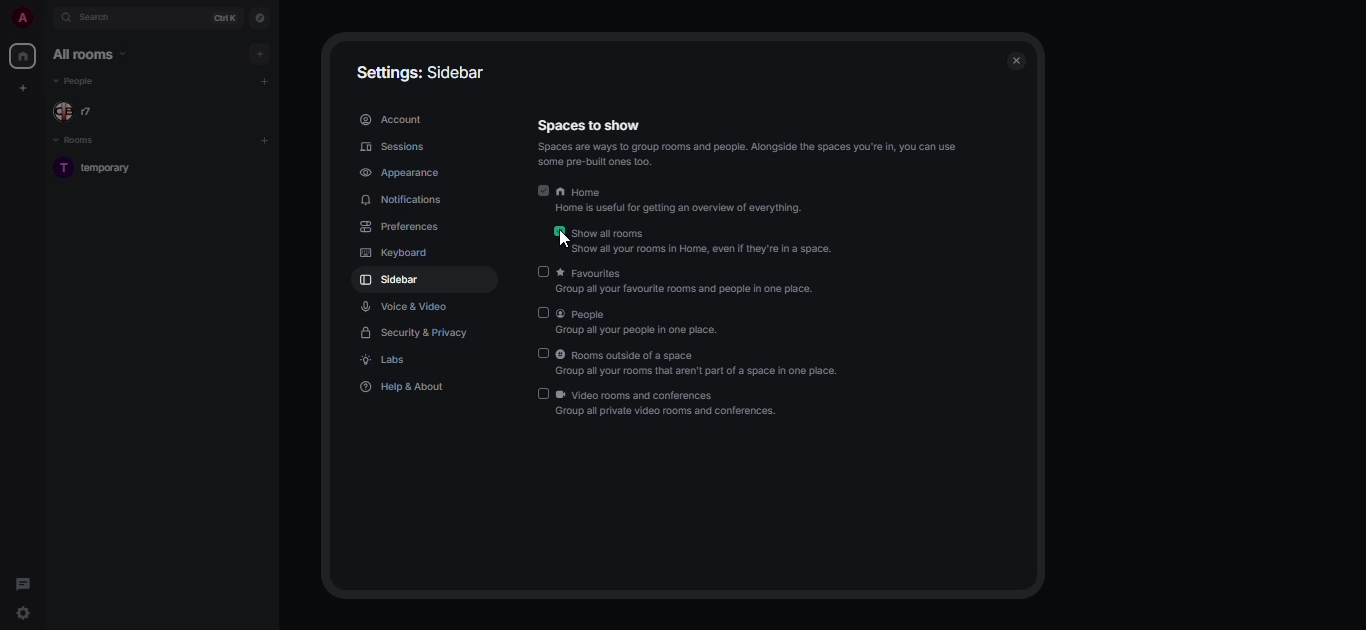 Image resolution: width=1366 pixels, height=630 pixels. I want to click on navigator, so click(261, 18).